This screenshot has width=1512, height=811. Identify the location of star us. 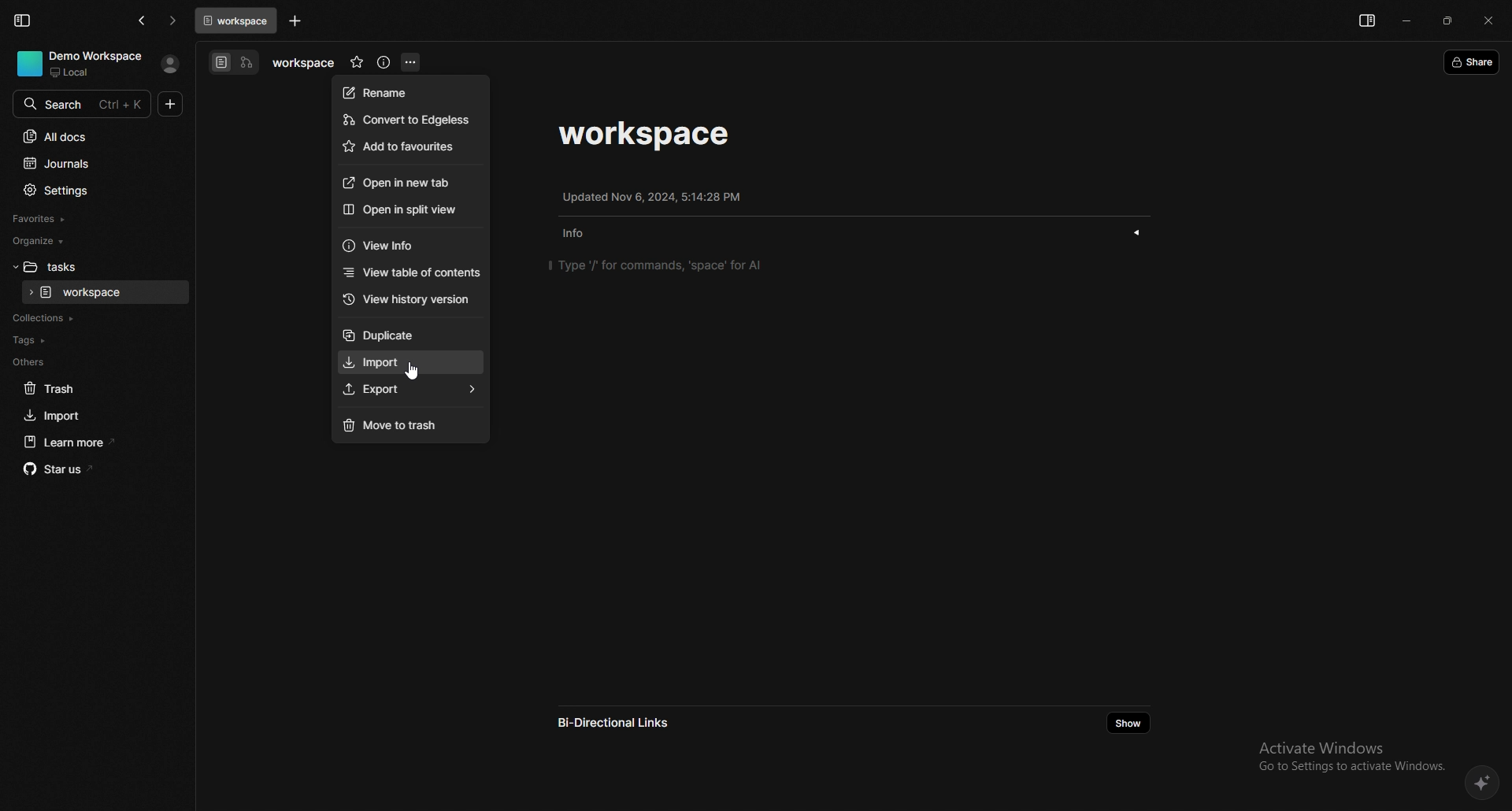
(95, 469).